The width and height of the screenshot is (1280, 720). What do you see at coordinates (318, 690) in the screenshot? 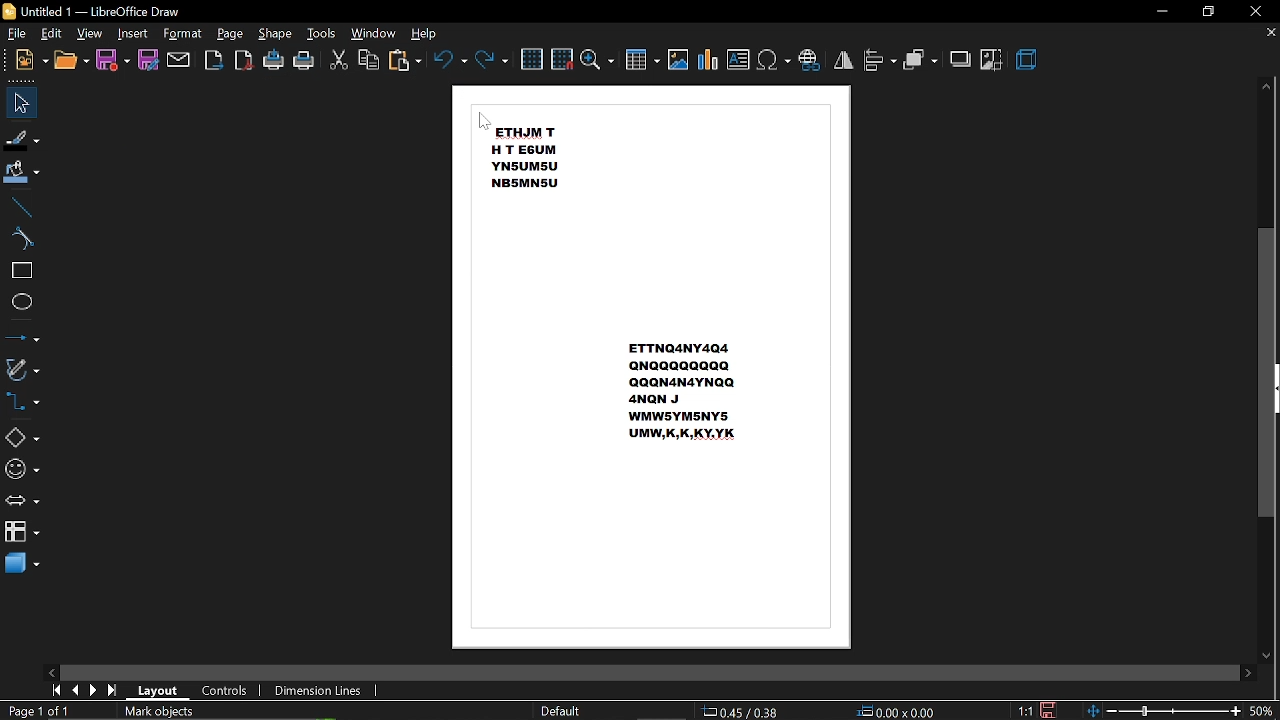
I see `dimension lines` at bounding box center [318, 690].